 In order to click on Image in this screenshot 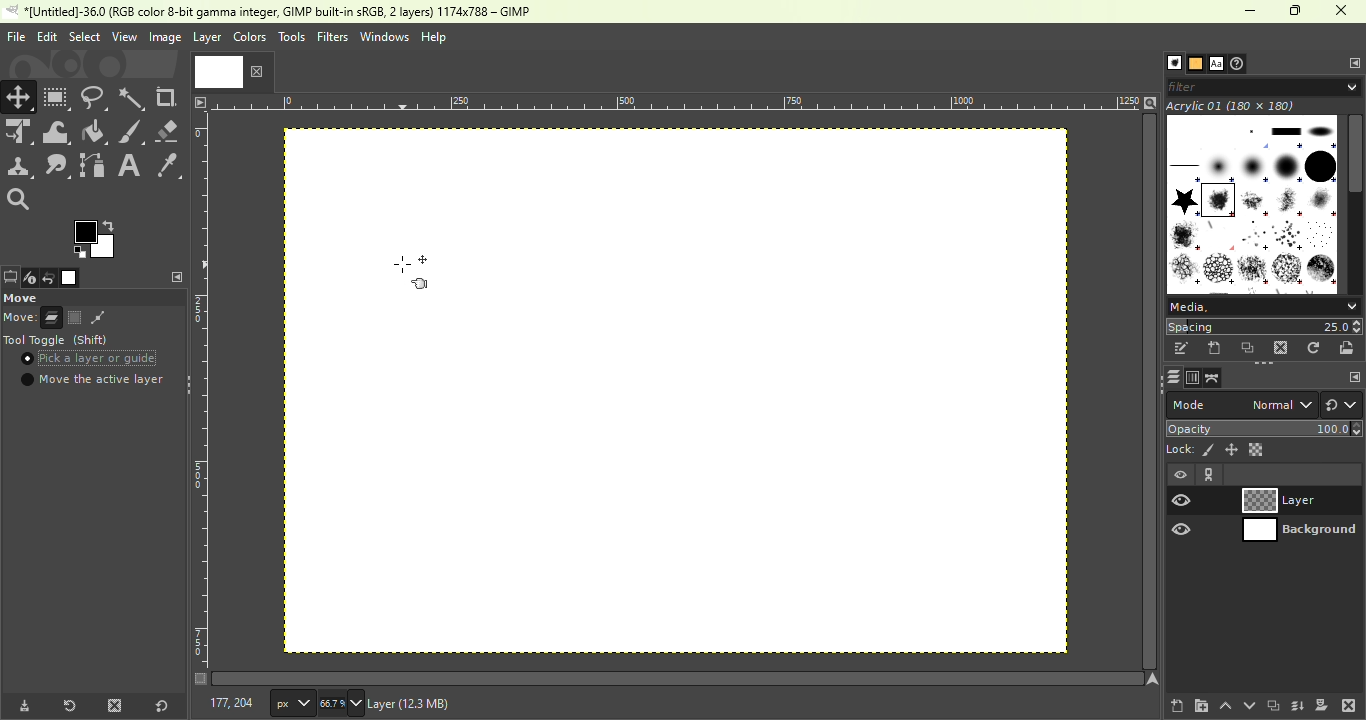, I will do `click(163, 37)`.